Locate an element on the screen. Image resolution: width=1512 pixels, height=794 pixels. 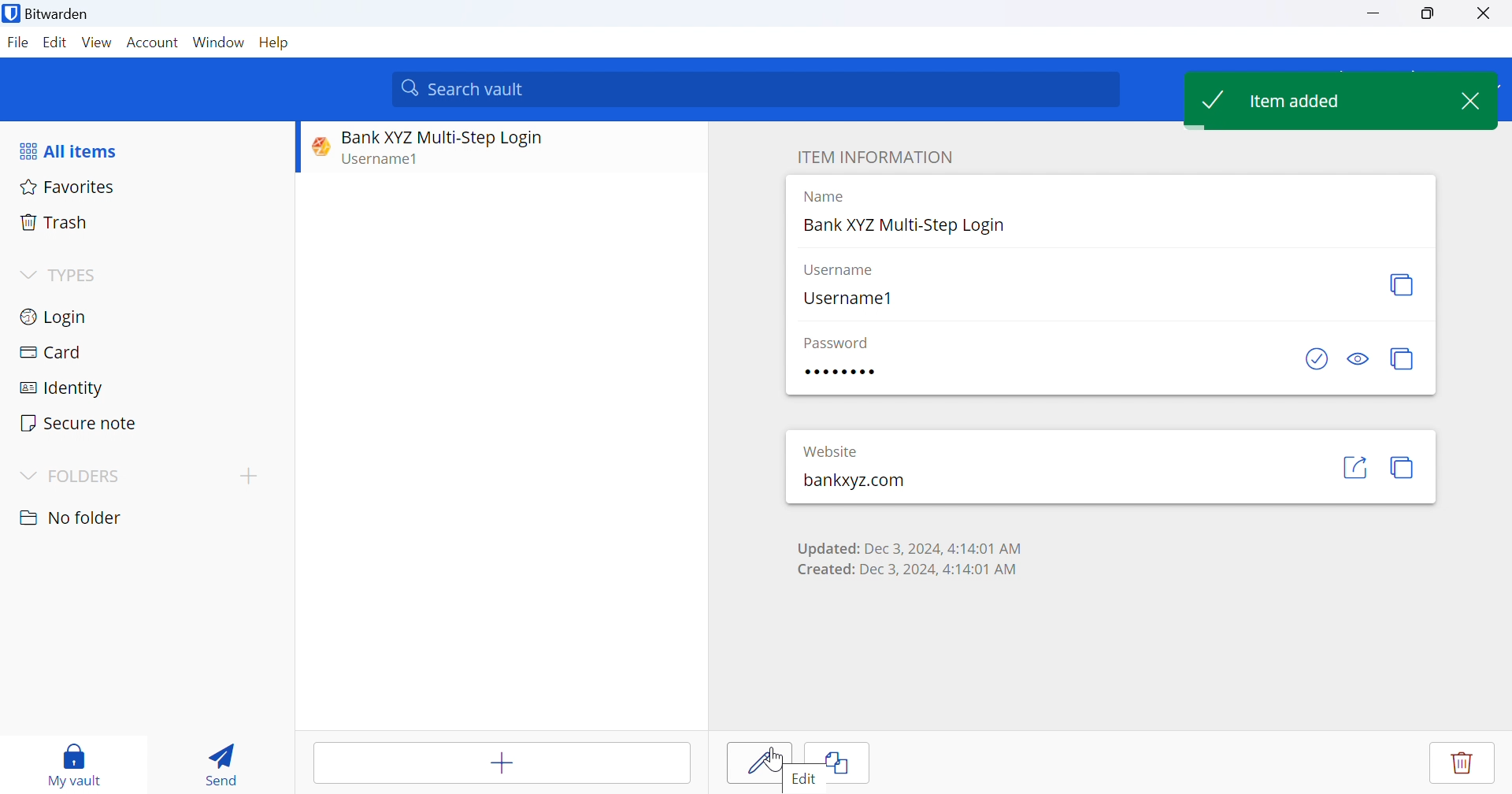
Minimize is located at coordinates (1373, 15).